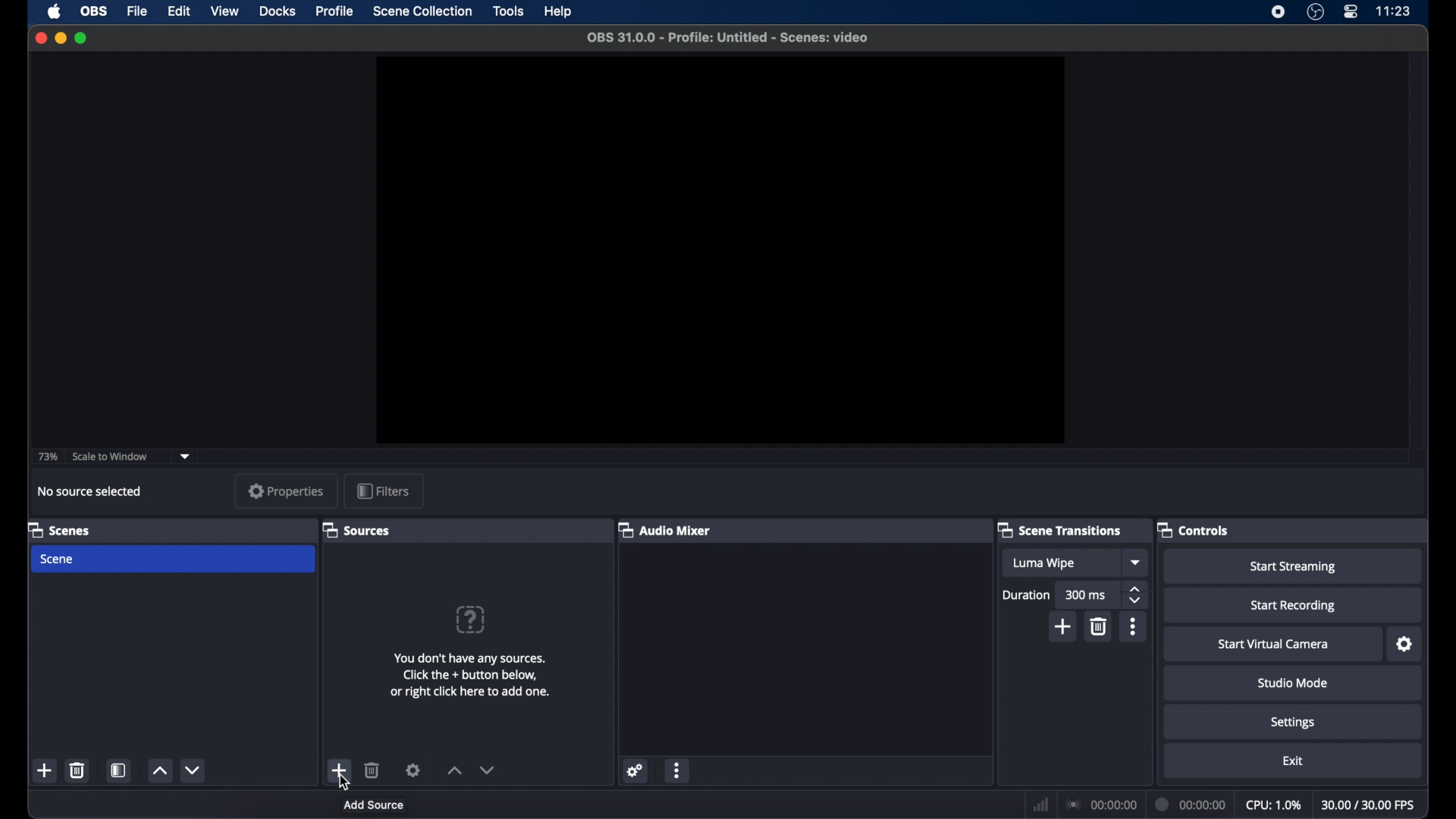 This screenshot has height=819, width=1456. Describe the element at coordinates (185, 457) in the screenshot. I see `dropdown` at that location.